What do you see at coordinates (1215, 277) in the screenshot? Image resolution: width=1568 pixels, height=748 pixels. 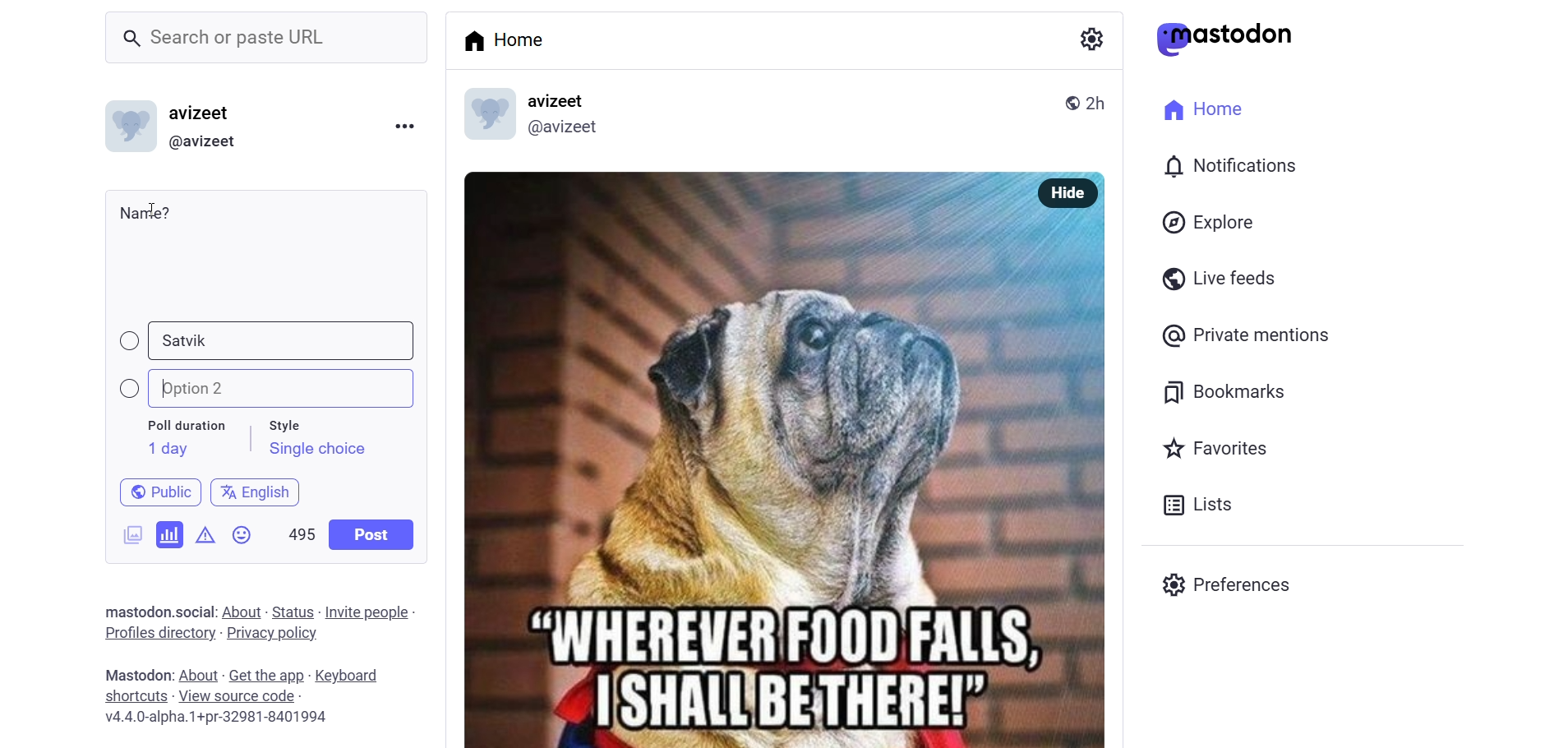 I see `live feed` at bounding box center [1215, 277].